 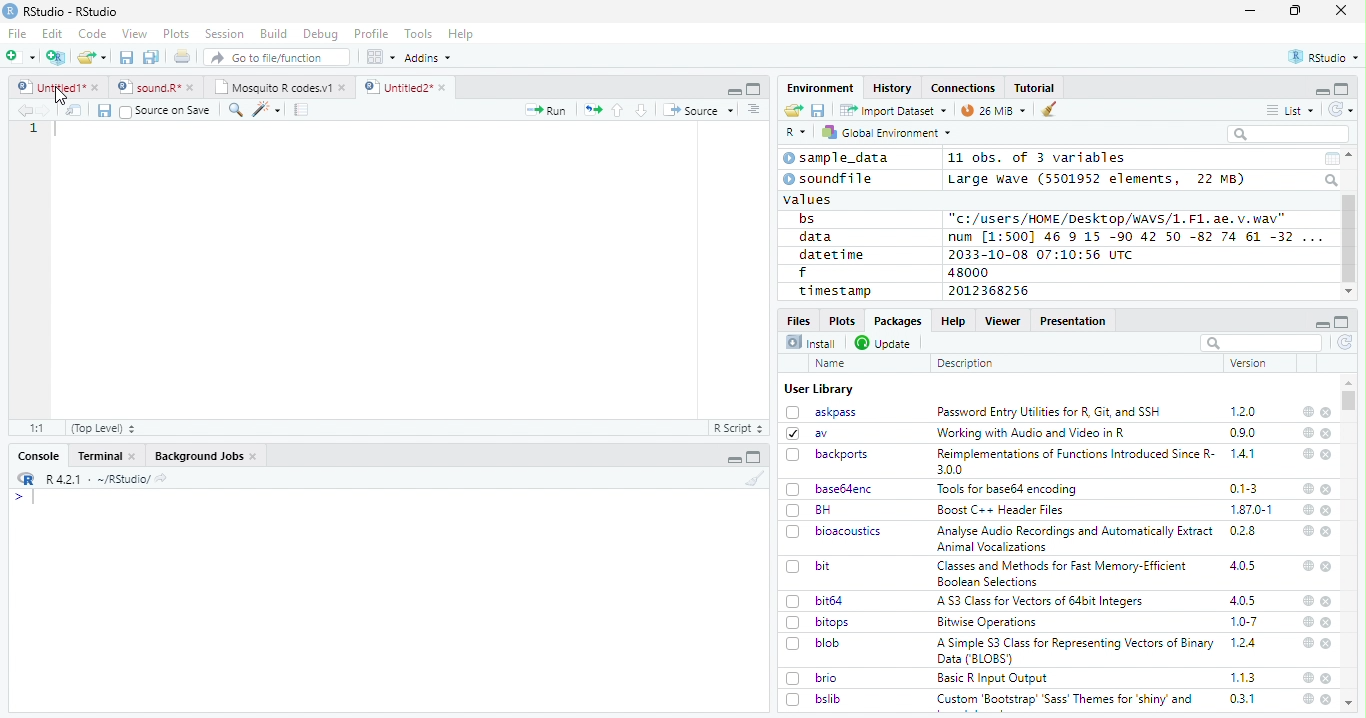 I want to click on Presentation, so click(x=1074, y=321).